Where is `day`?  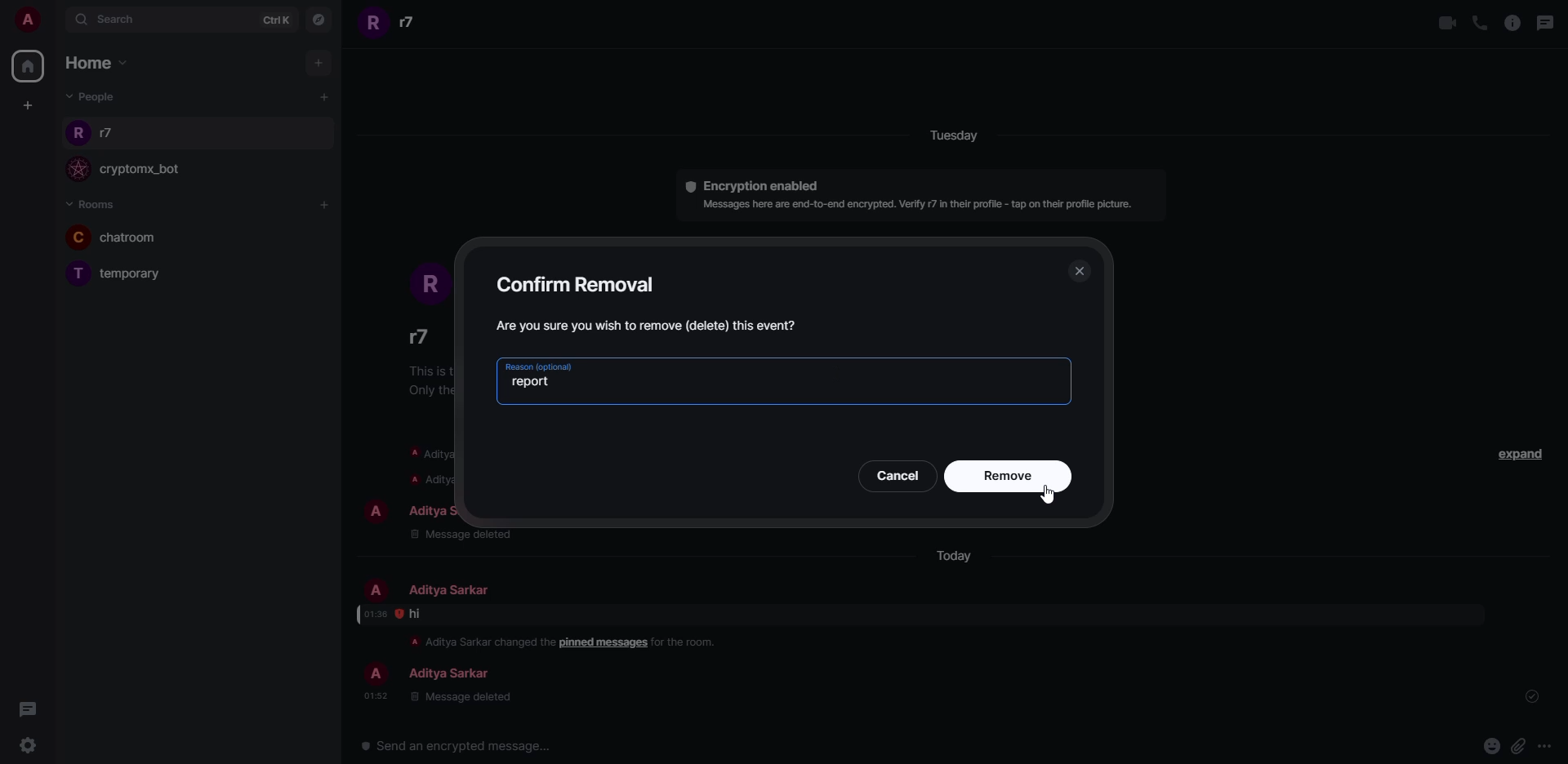
day is located at coordinates (973, 137).